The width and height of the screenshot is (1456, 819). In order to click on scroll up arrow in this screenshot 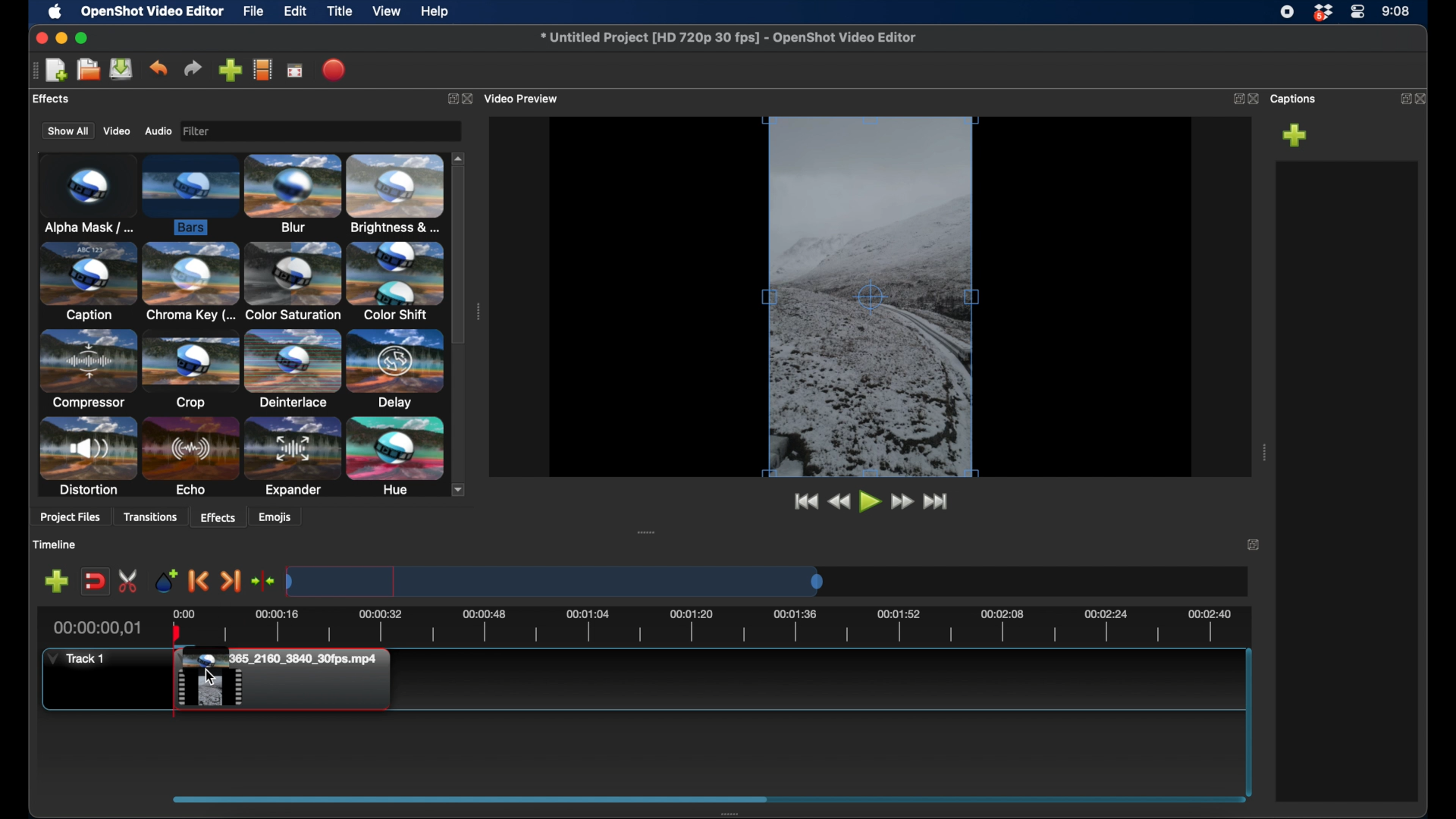, I will do `click(460, 156)`.